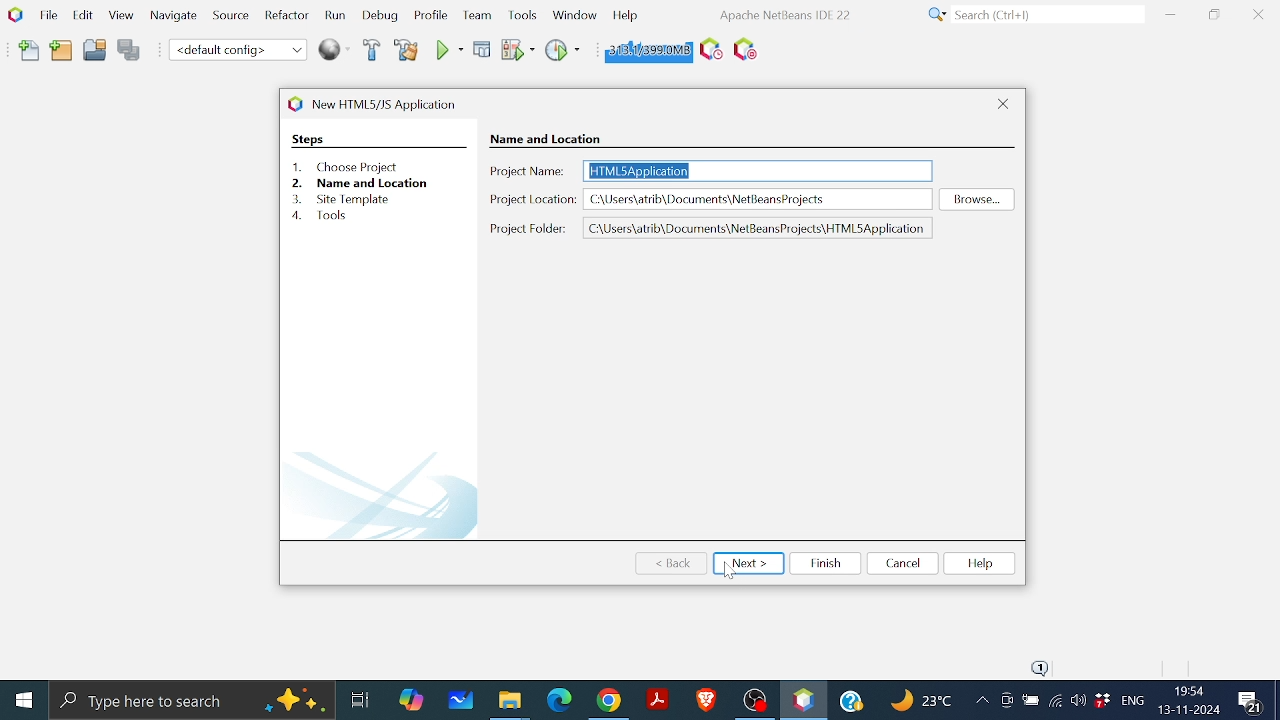  Describe the element at coordinates (463, 699) in the screenshot. I see `White board` at that location.